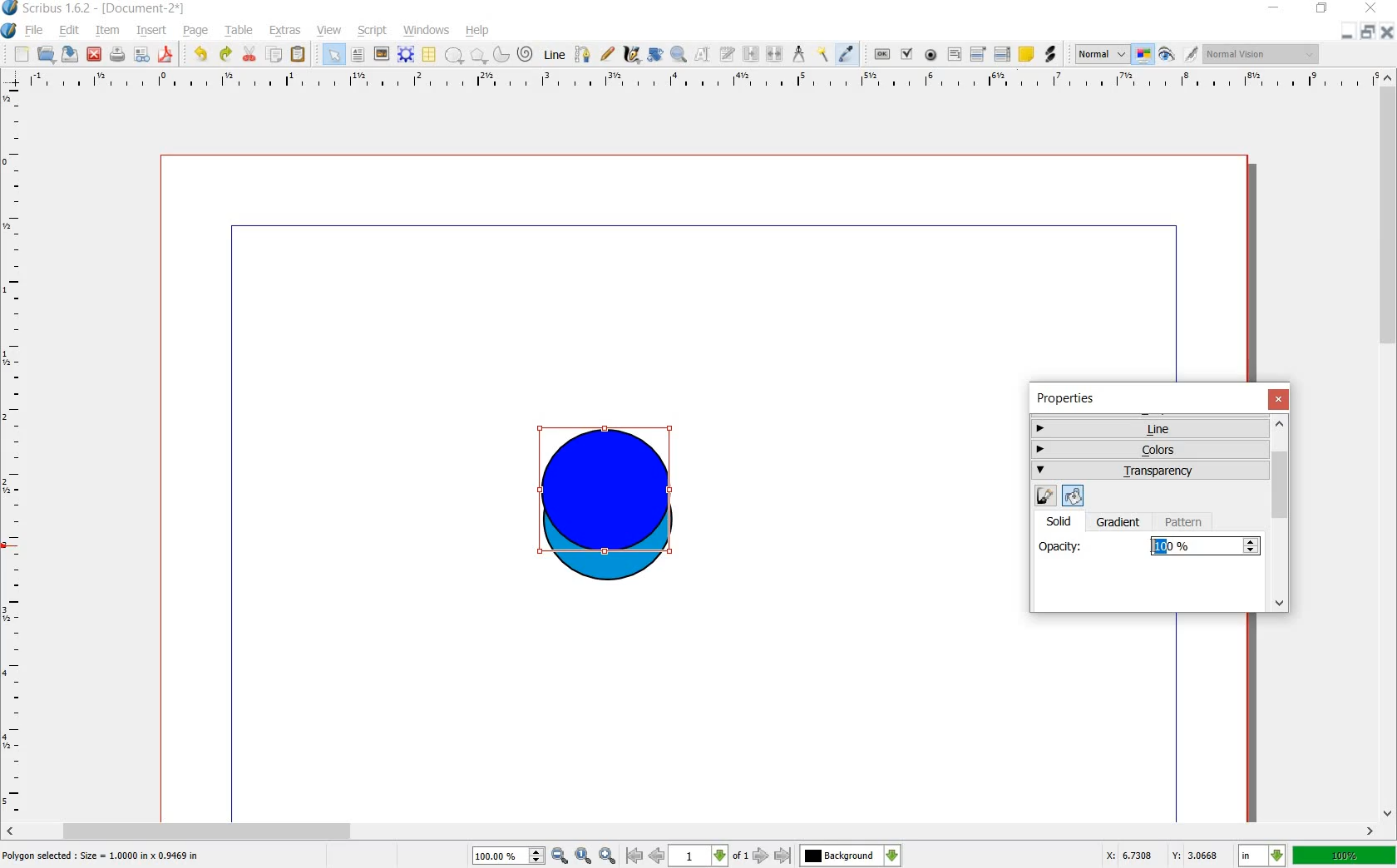  I want to click on spiral, so click(525, 55).